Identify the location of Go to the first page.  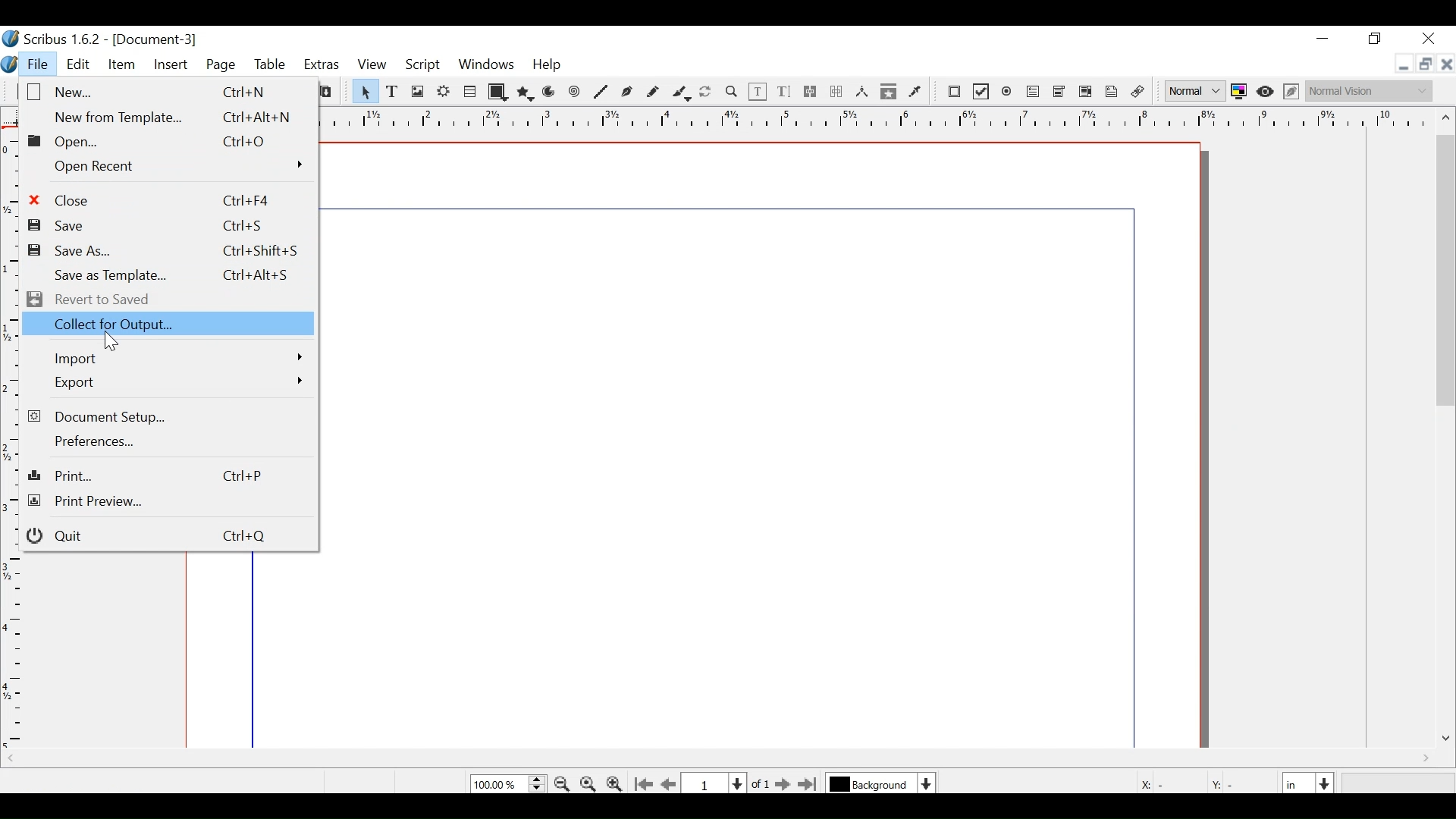
(645, 783).